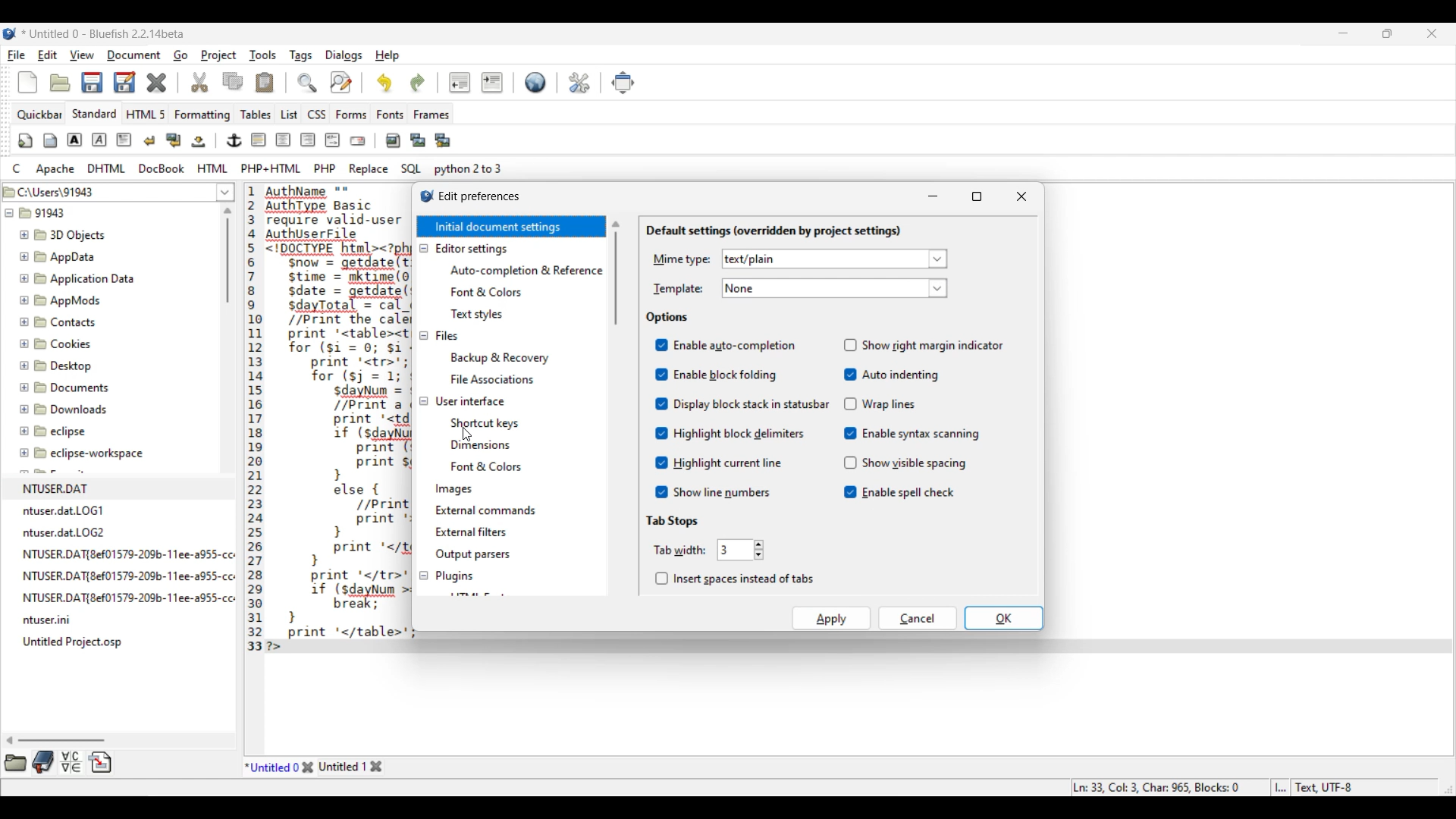 This screenshot has width=1456, height=819. What do you see at coordinates (977, 196) in the screenshot?
I see `Maximize` at bounding box center [977, 196].